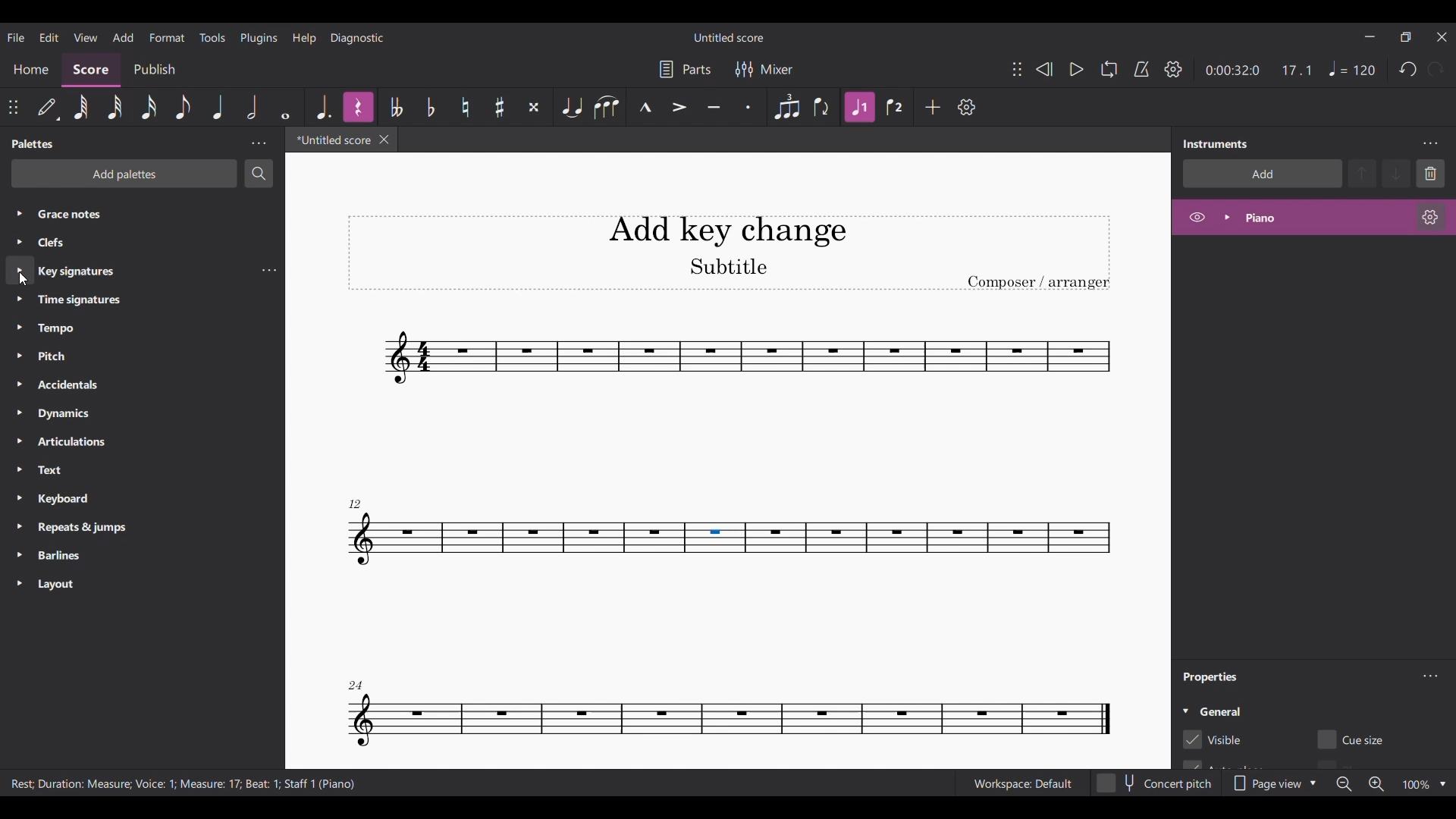 This screenshot has height=819, width=1456. I want to click on Title of right panel, so click(1216, 143).